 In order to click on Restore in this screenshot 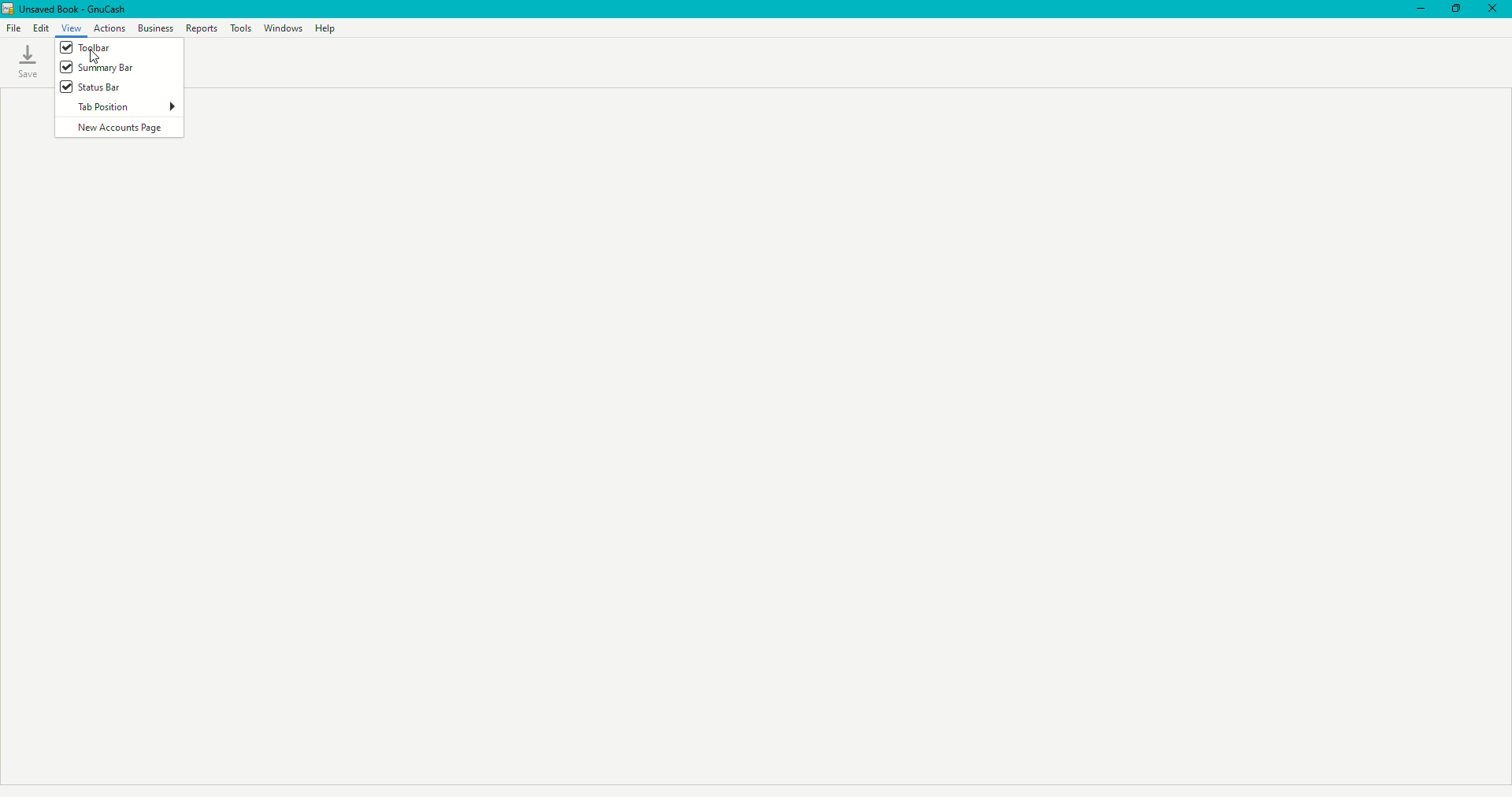, I will do `click(1457, 9)`.